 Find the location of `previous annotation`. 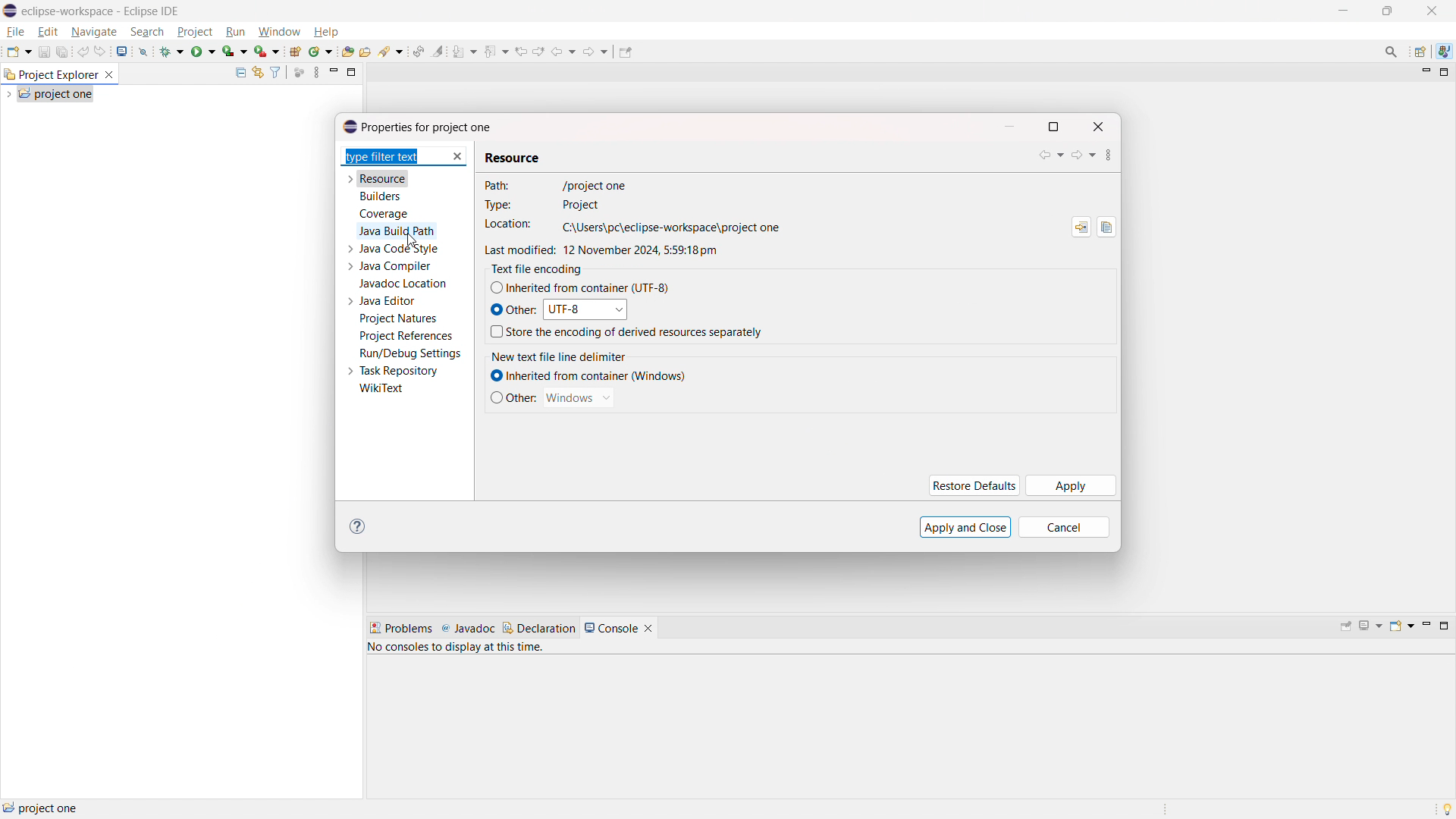

previous annotation is located at coordinates (495, 50).